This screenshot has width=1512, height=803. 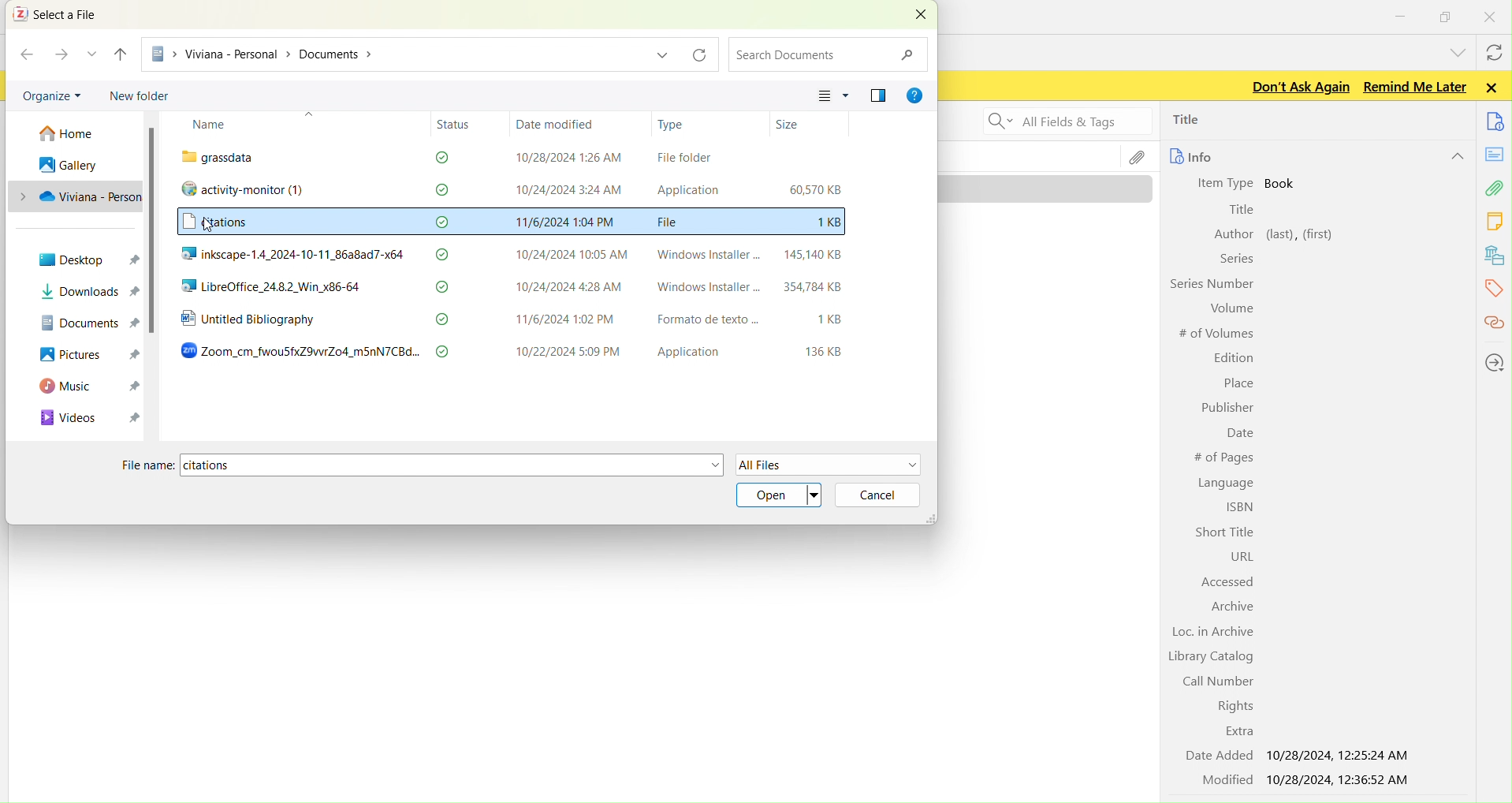 What do you see at coordinates (668, 125) in the screenshot?
I see `Type` at bounding box center [668, 125].